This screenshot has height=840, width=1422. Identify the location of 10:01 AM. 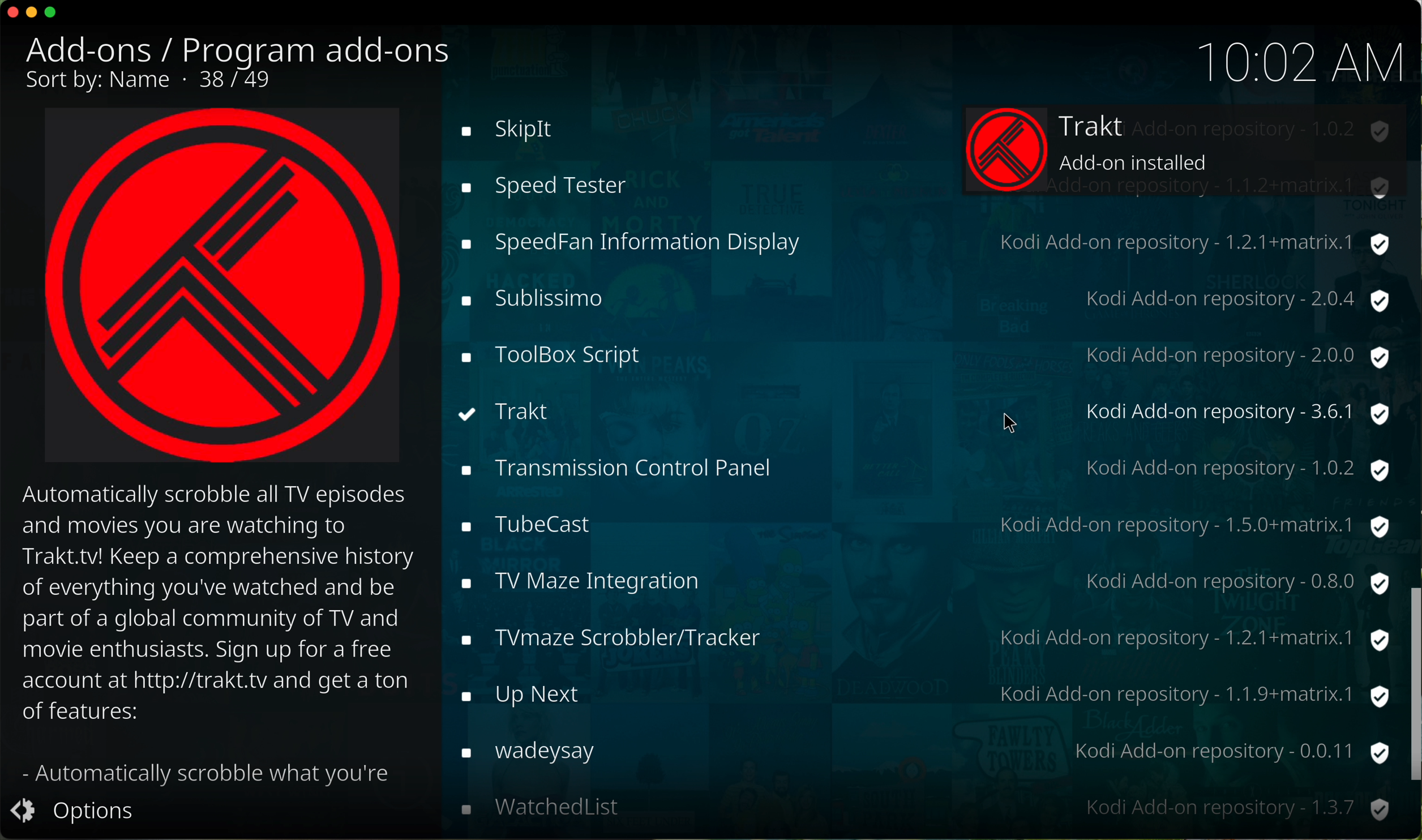
(1299, 59).